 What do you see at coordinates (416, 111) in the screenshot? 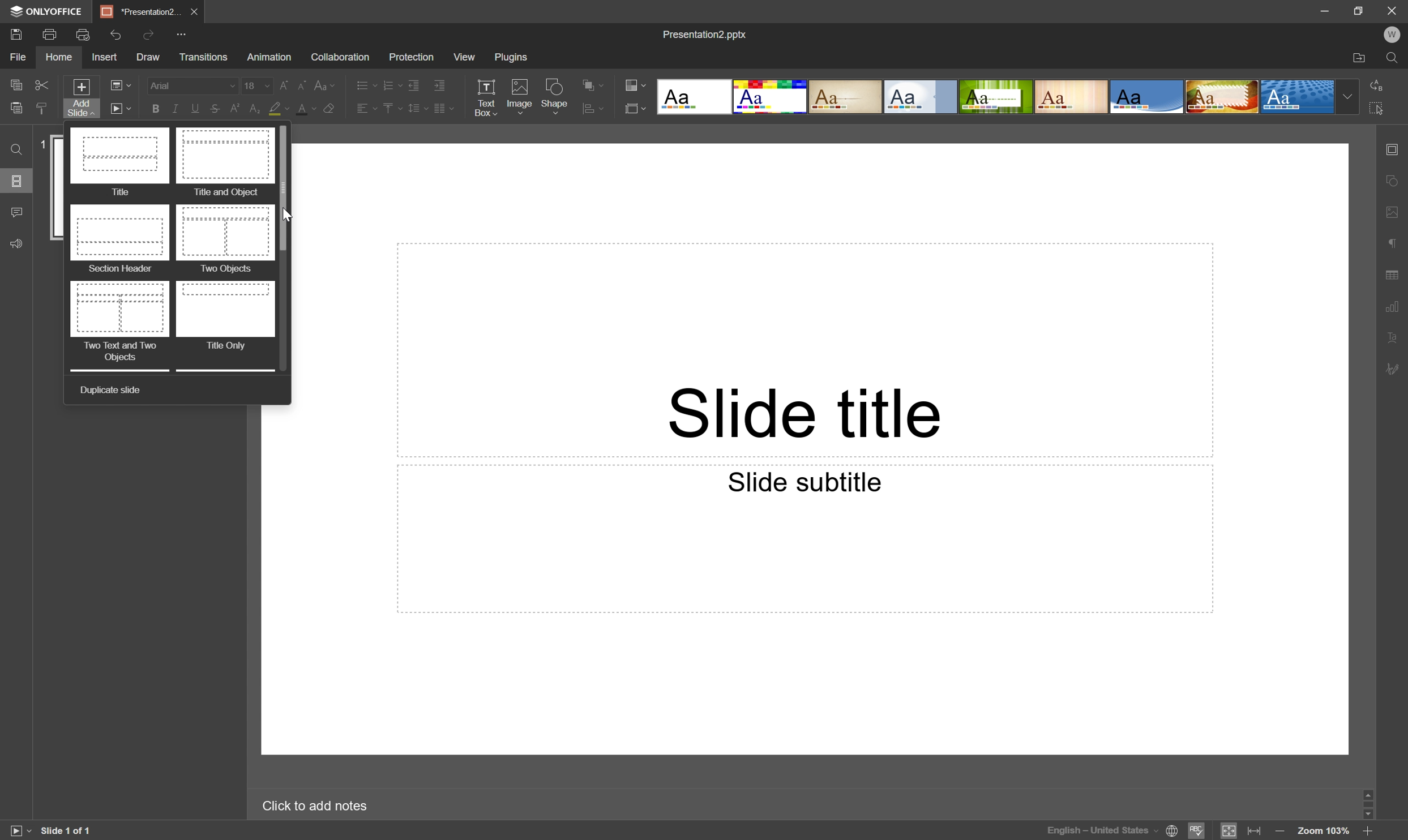
I see `Line spacing` at bounding box center [416, 111].